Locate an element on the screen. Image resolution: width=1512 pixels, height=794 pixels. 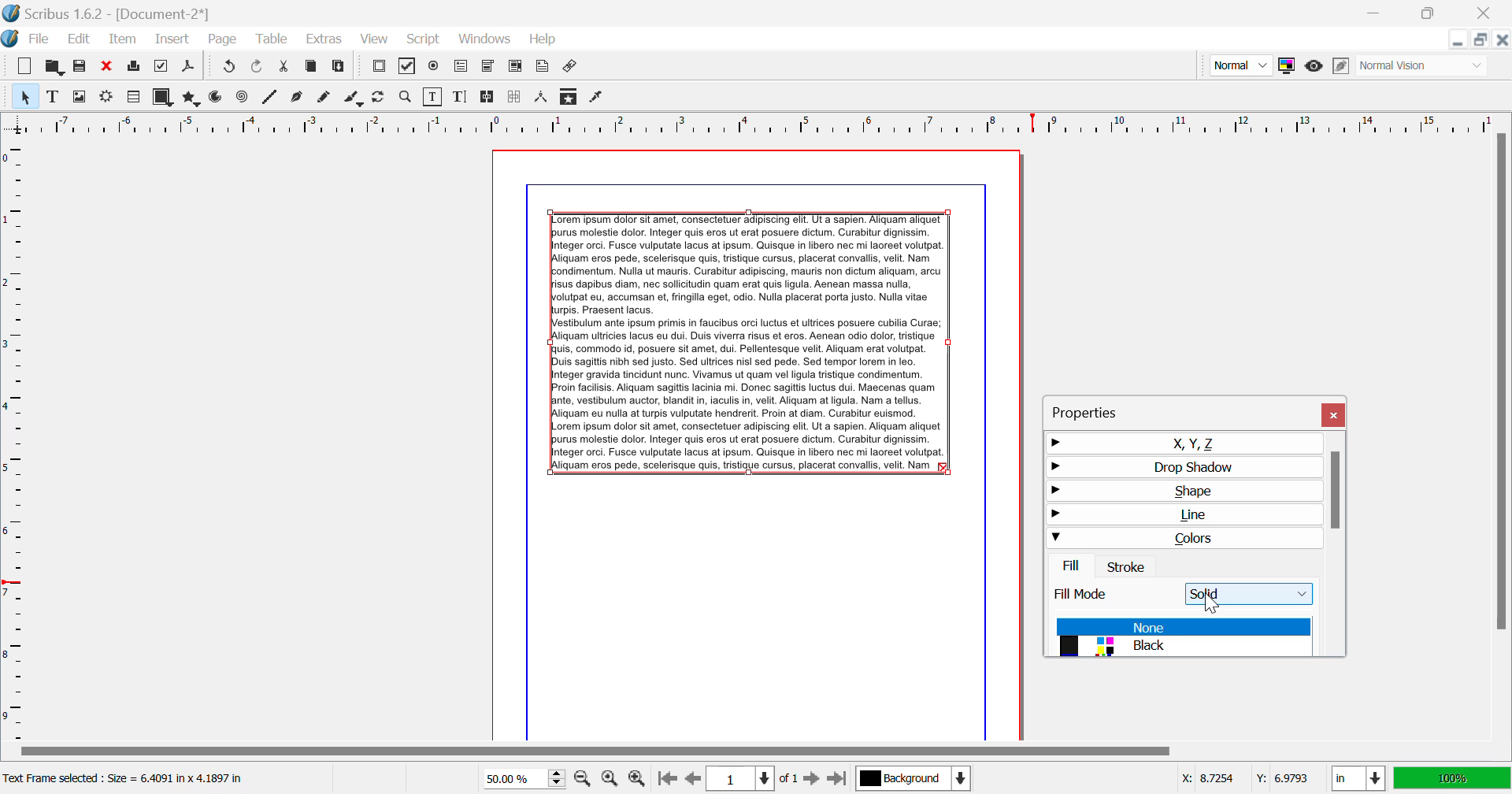
View is located at coordinates (373, 39).